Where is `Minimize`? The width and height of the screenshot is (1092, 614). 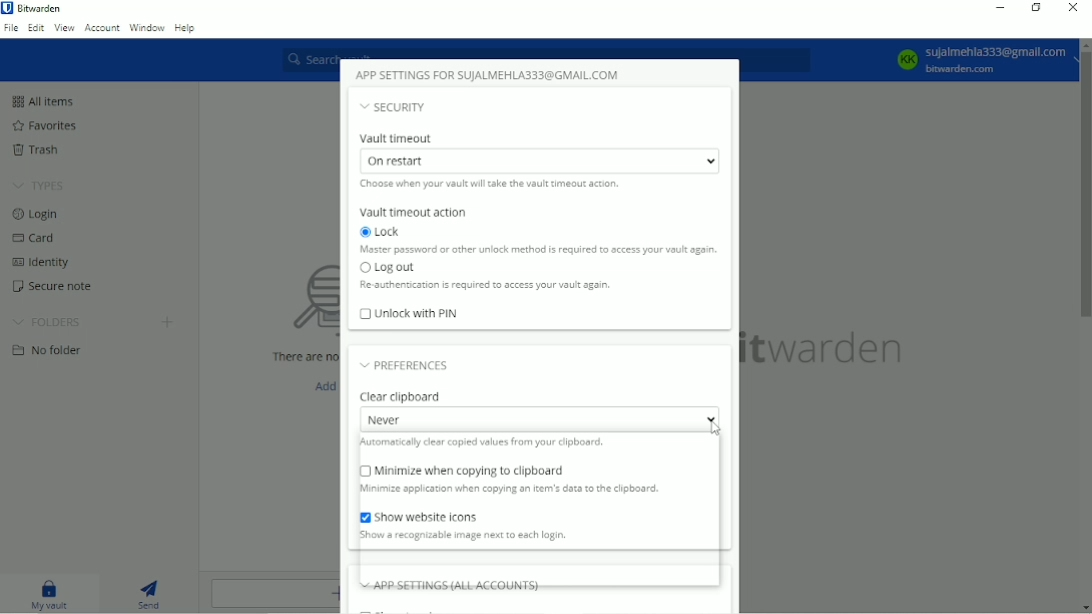 Minimize is located at coordinates (1001, 7).